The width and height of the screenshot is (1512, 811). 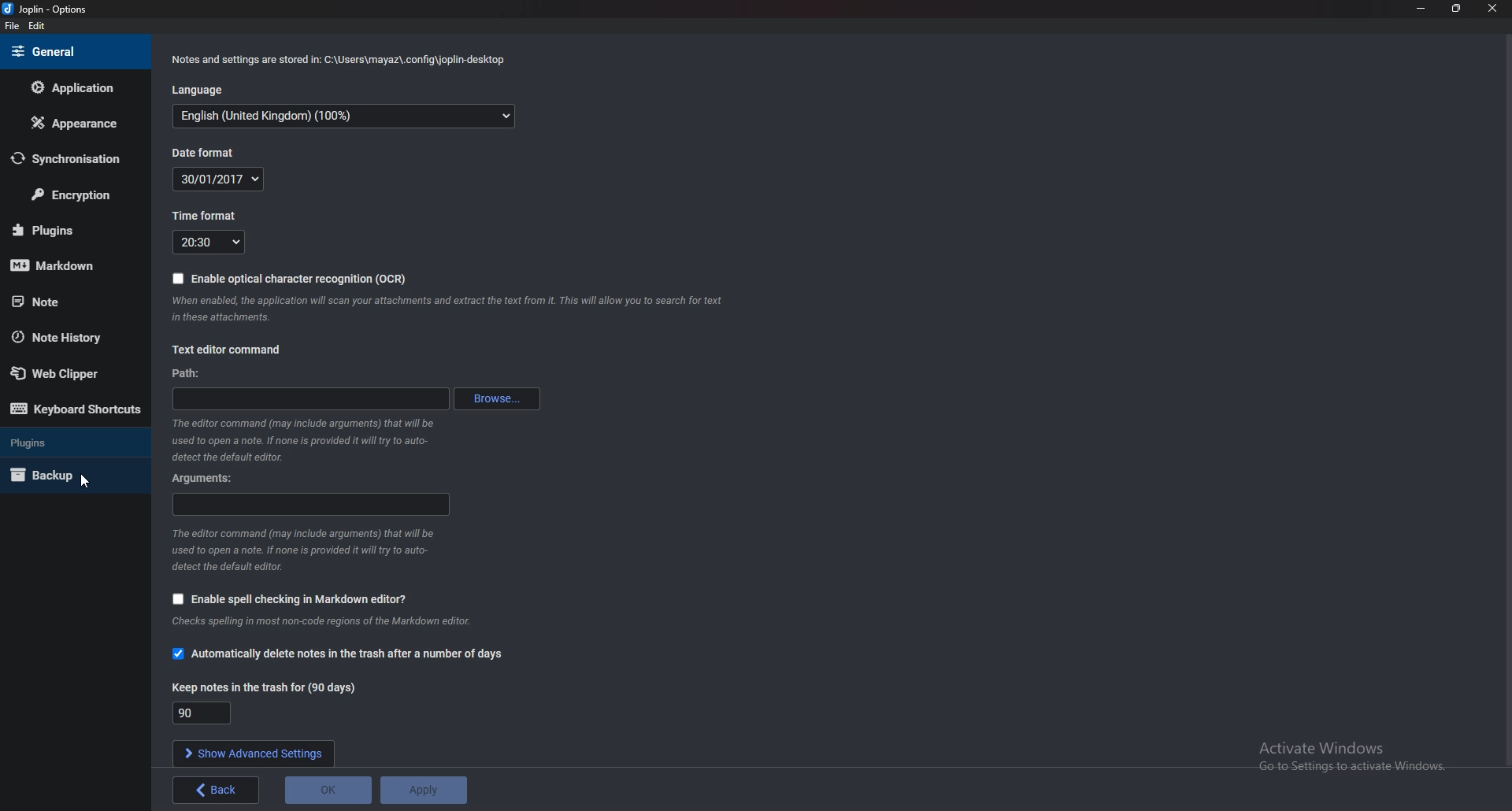 I want to click on info, so click(x=307, y=439).